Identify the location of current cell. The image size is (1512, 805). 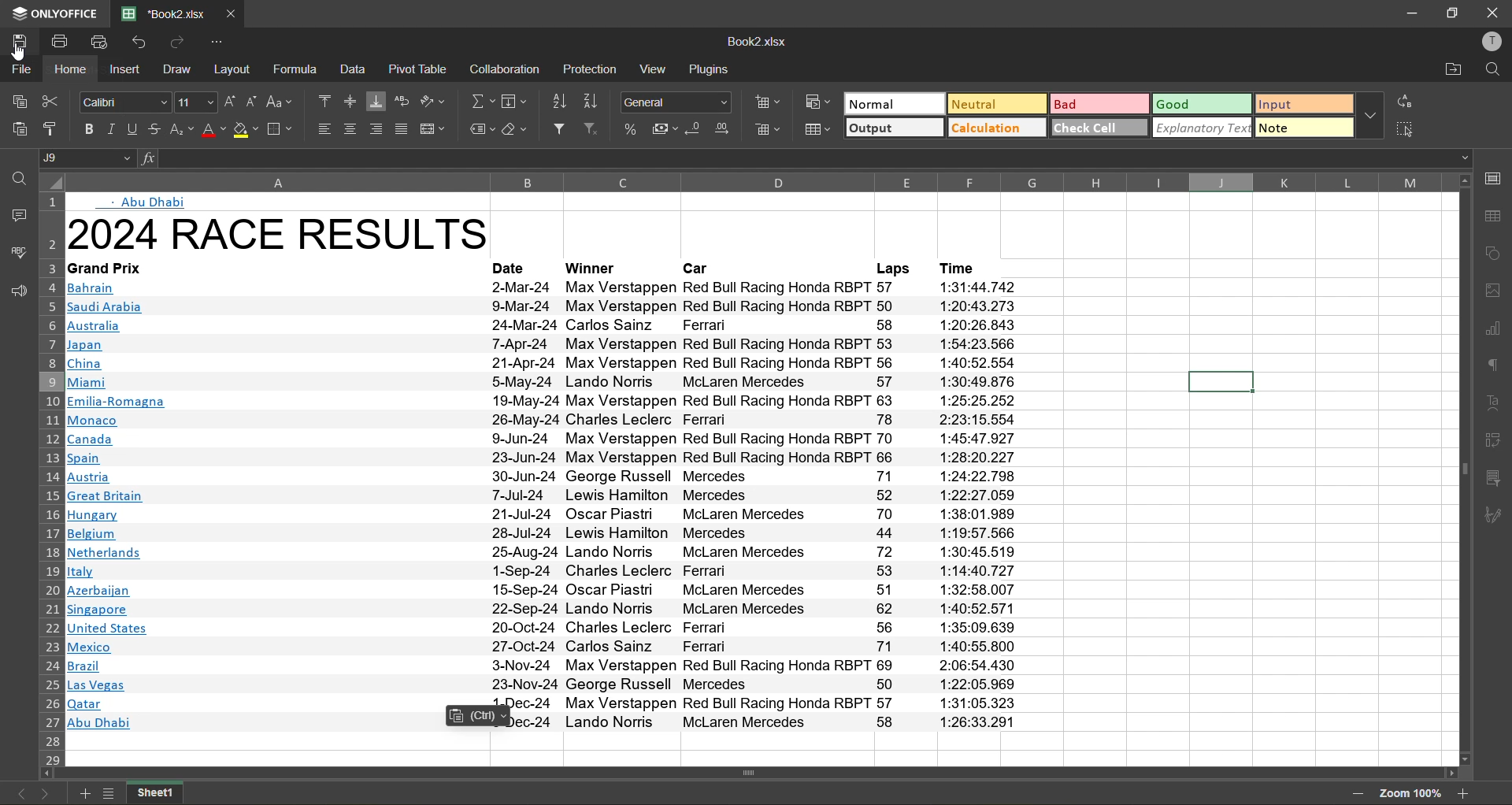
(1219, 382).